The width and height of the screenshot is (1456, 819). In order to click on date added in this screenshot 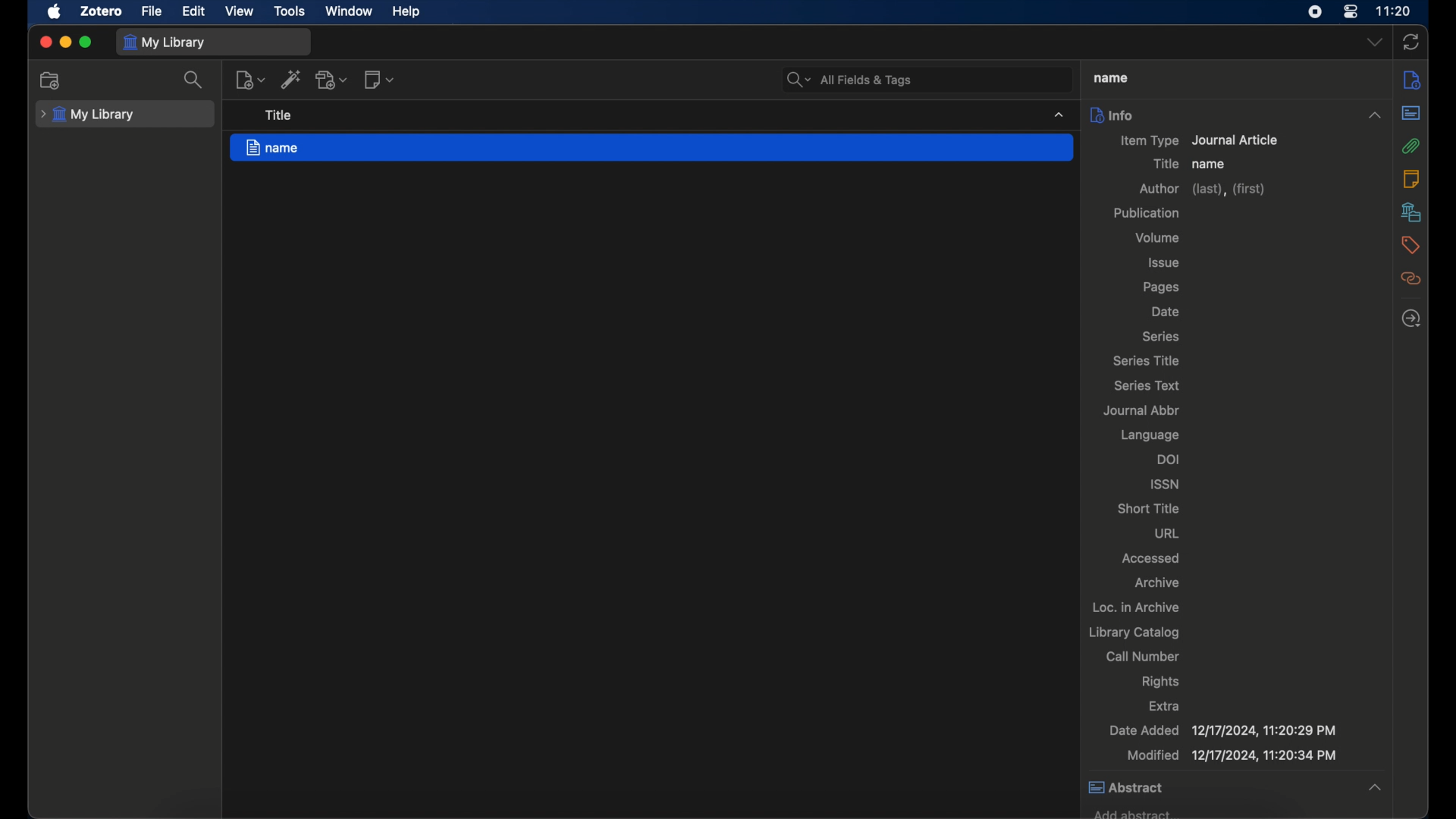, I will do `click(1223, 730)`.